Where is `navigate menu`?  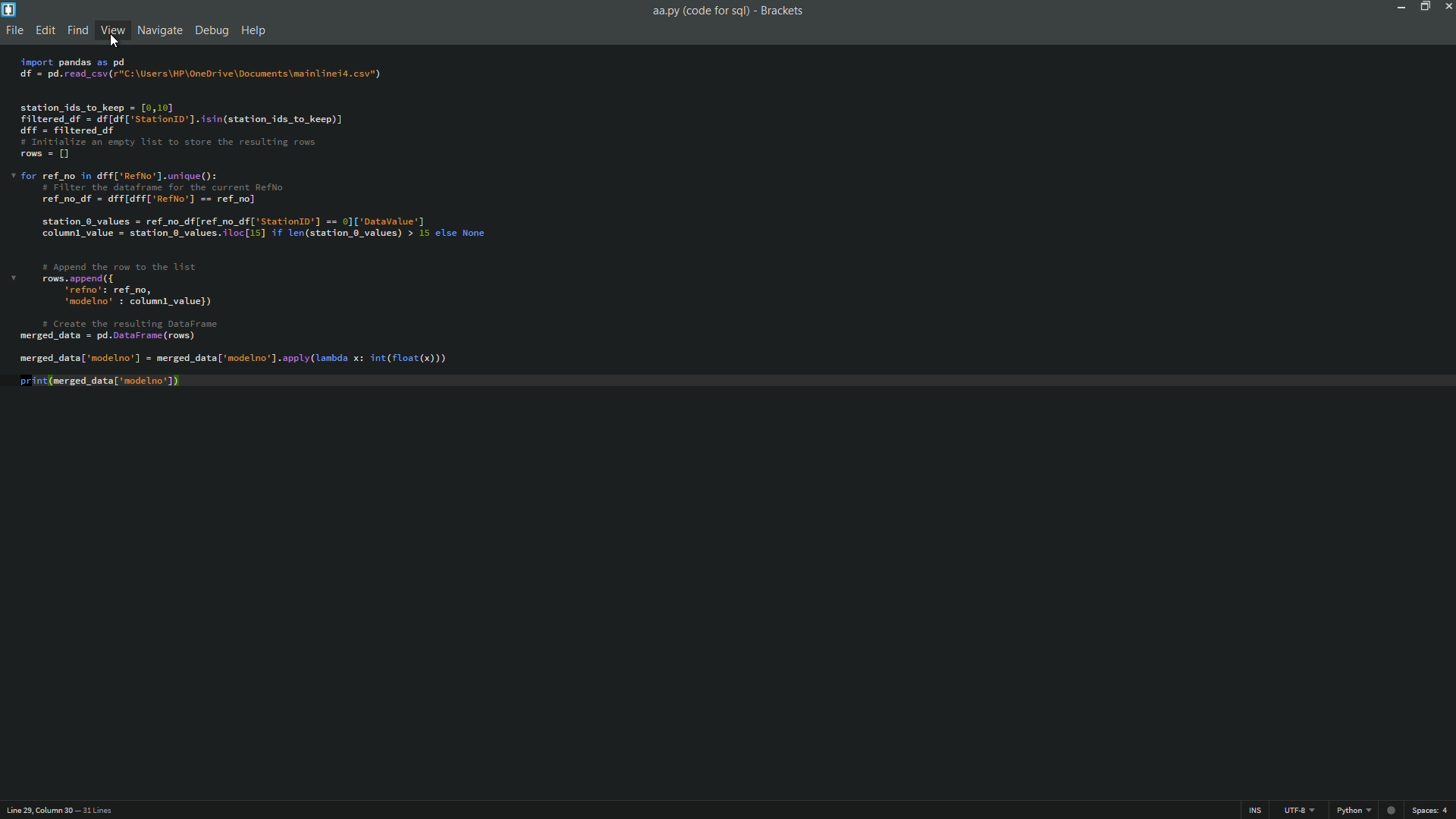 navigate menu is located at coordinates (160, 30).